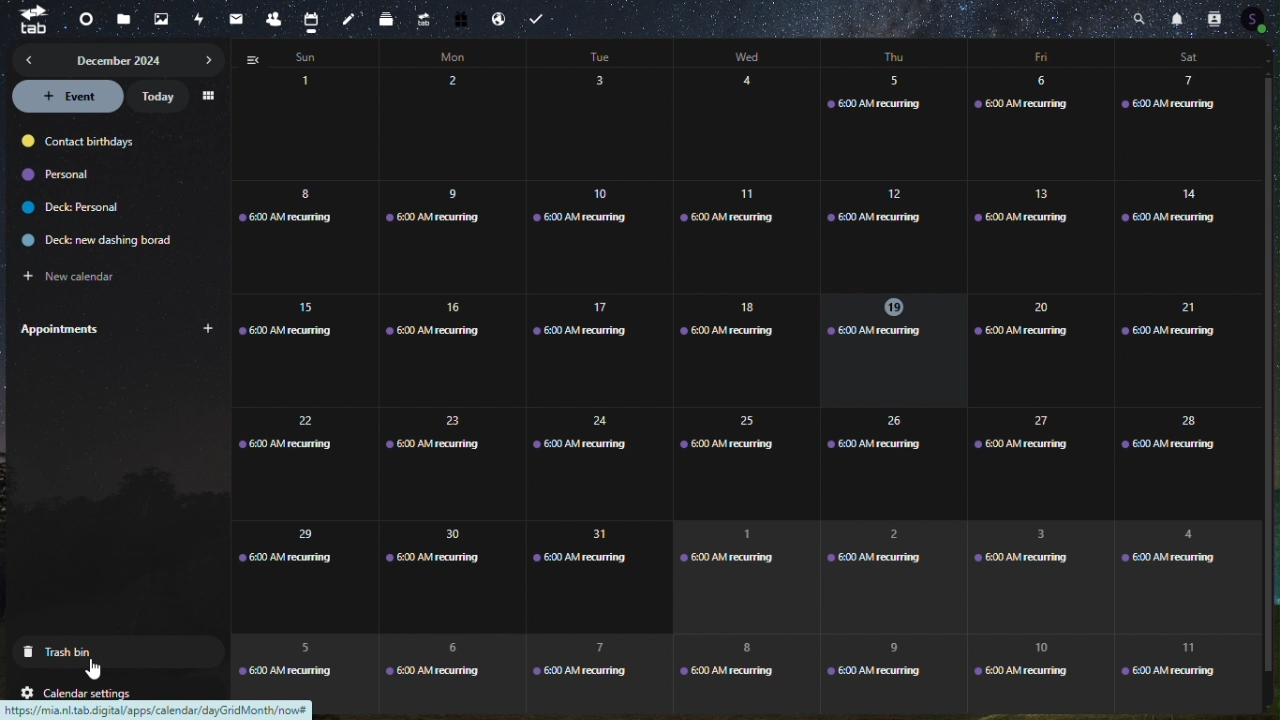 The width and height of the screenshot is (1280, 720). What do you see at coordinates (1178, 565) in the screenshot?
I see `4` at bounding box center [1178, 565].